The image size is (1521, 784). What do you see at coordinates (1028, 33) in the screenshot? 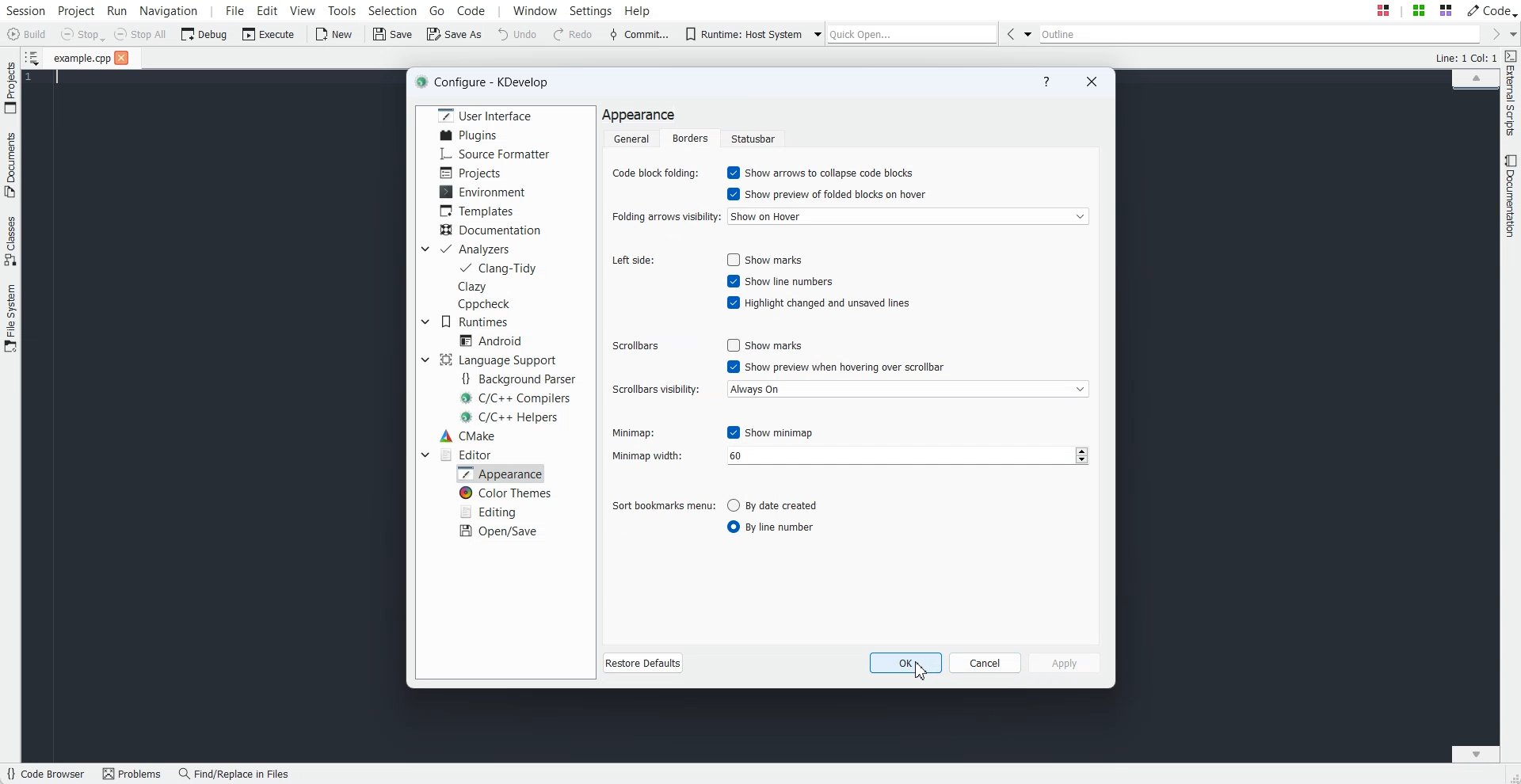
I see `Drop down box` at bounding box center [1028, 33].